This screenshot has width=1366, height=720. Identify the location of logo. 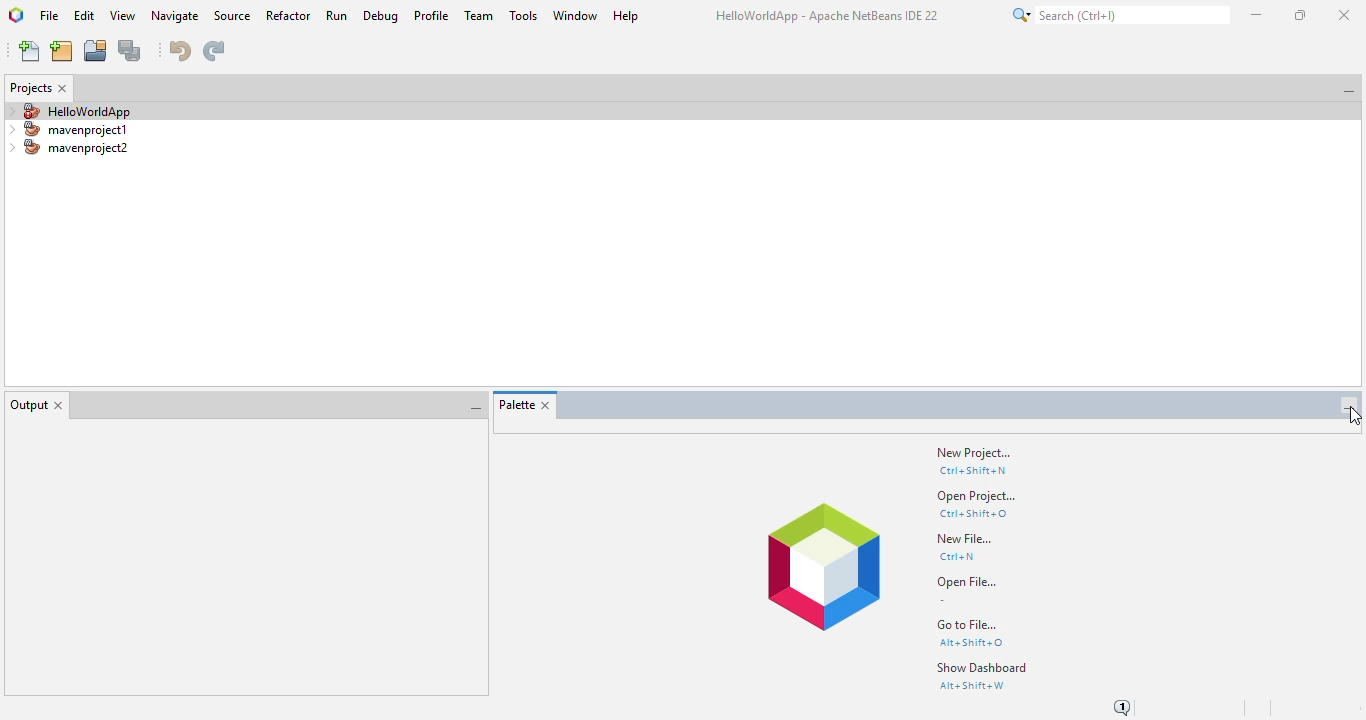
(823, 566).